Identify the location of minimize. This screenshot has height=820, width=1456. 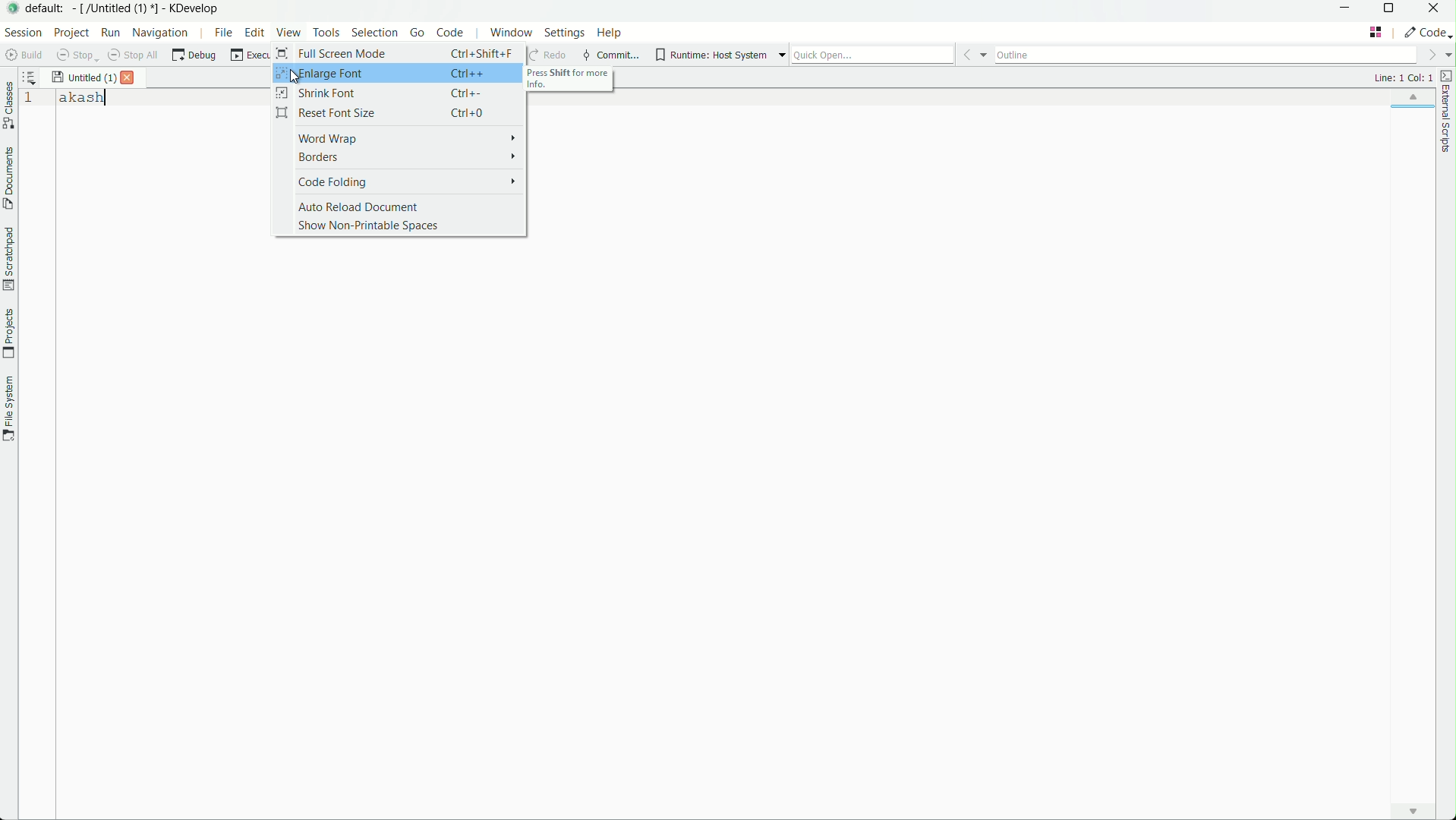
(1349, 10).